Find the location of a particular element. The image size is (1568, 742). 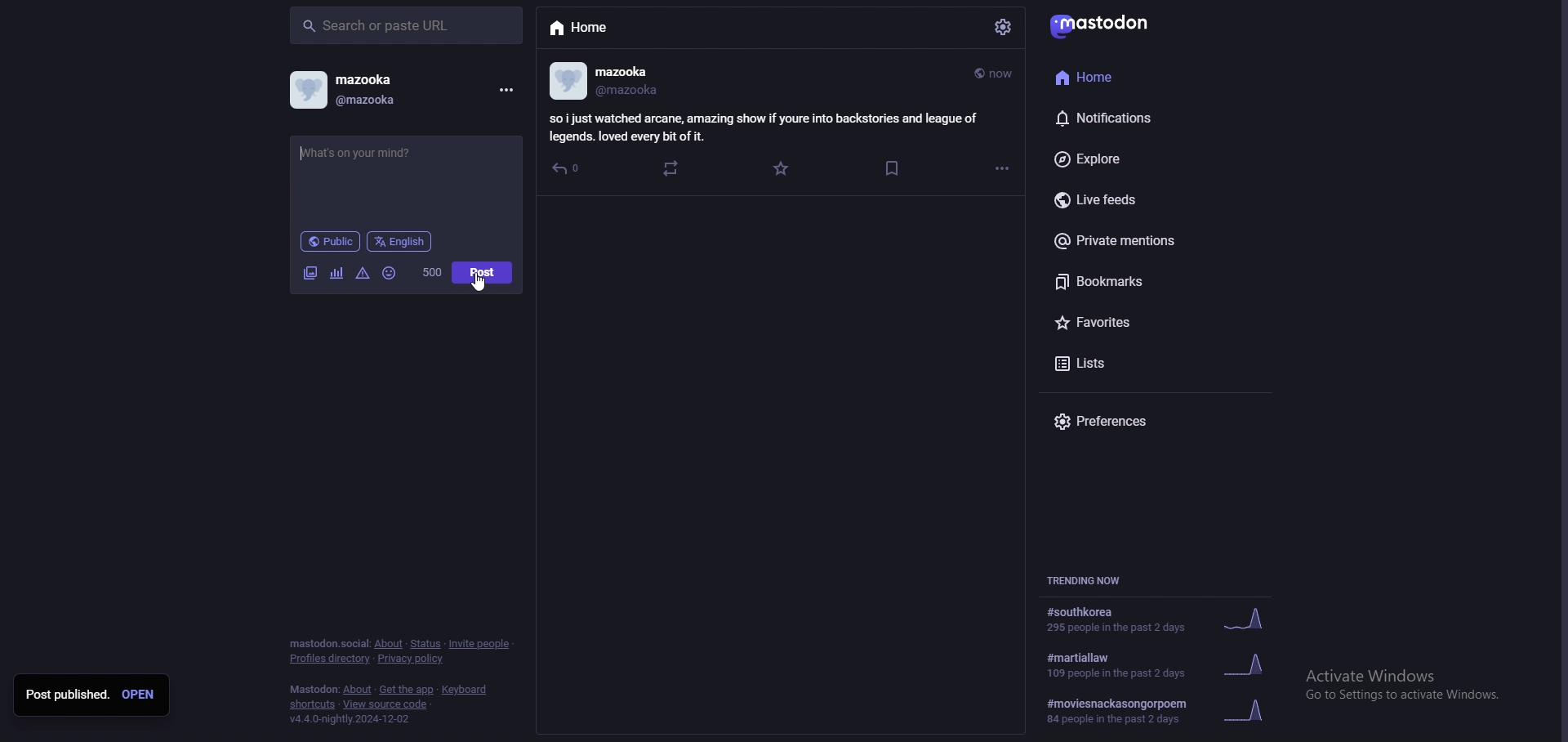

invite people is located at coordinates (482, 642).